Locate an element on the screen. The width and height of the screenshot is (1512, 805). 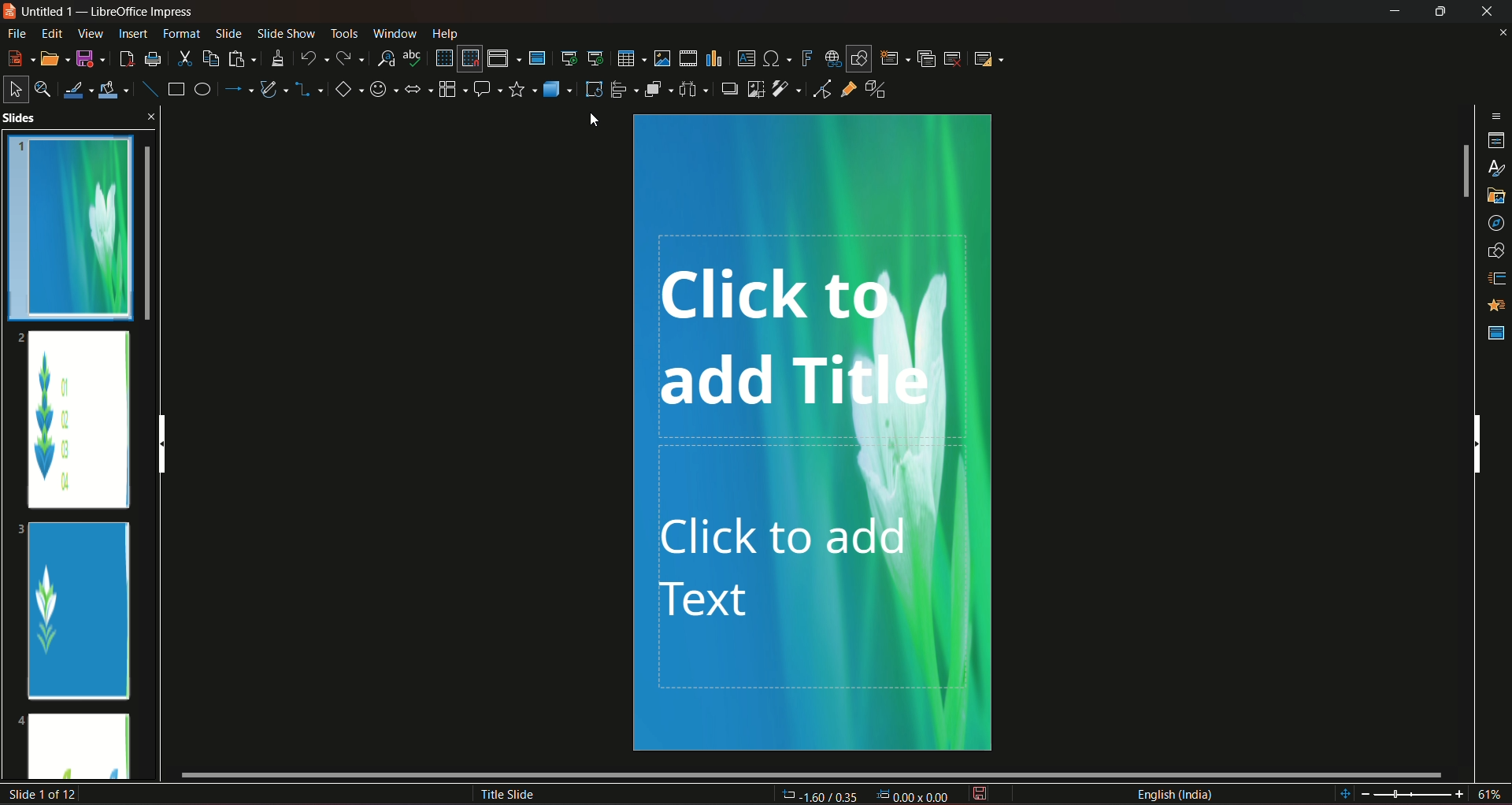
connectors is located at coordinates (309, 90).